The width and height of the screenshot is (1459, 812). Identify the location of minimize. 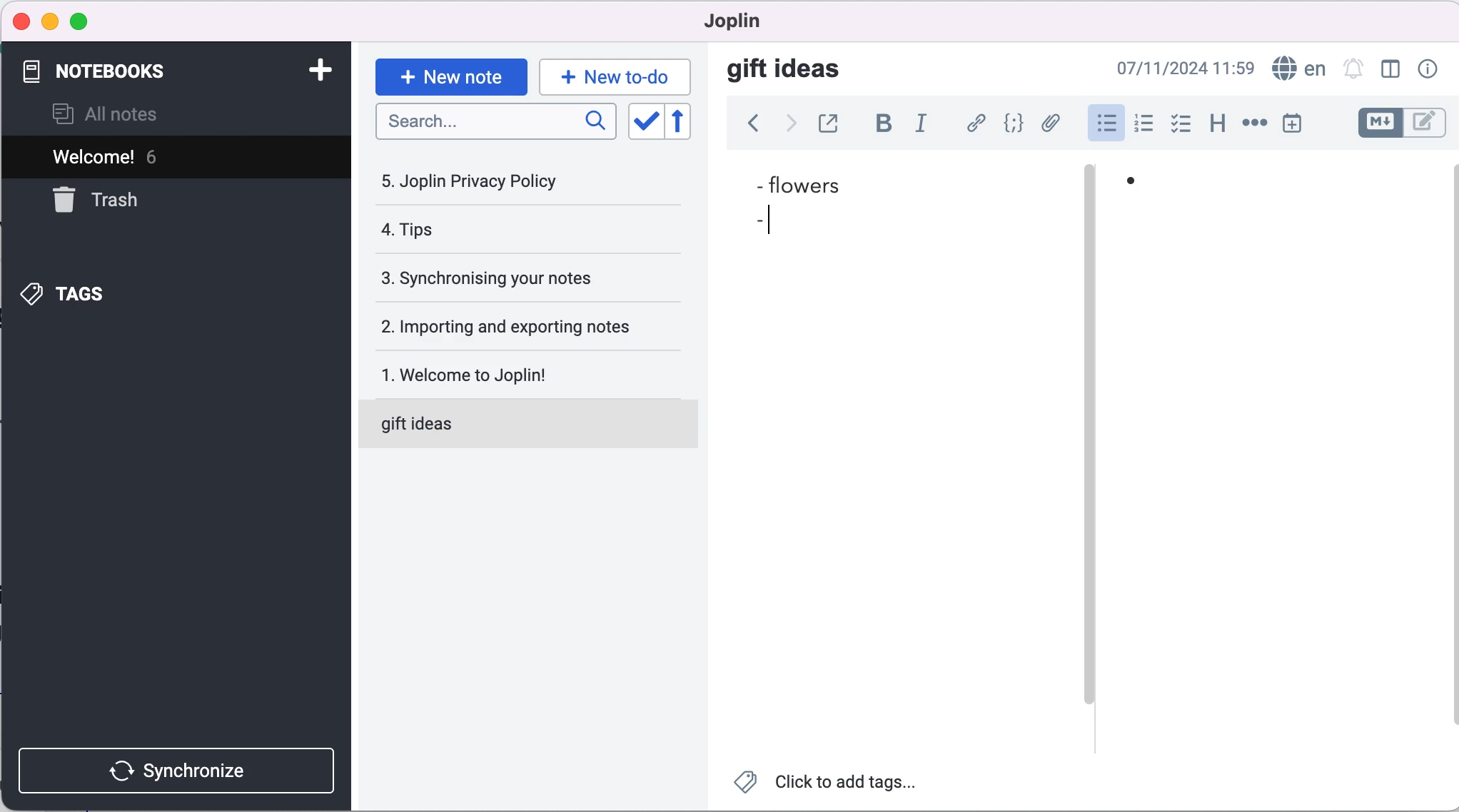
(50, 19).